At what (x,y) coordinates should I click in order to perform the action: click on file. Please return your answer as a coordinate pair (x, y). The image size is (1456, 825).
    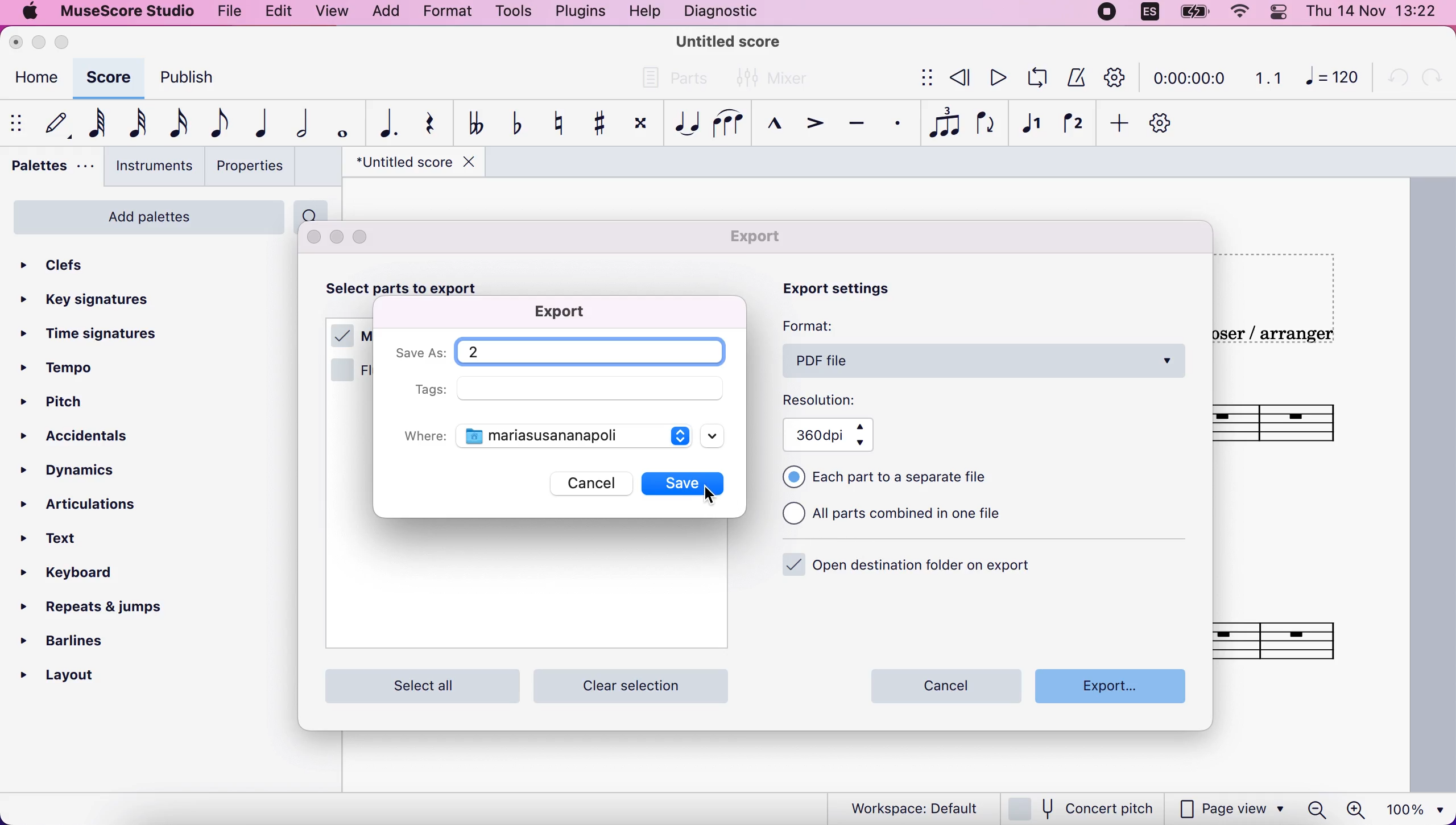
    Looking at the image, I should click on (226, 13).